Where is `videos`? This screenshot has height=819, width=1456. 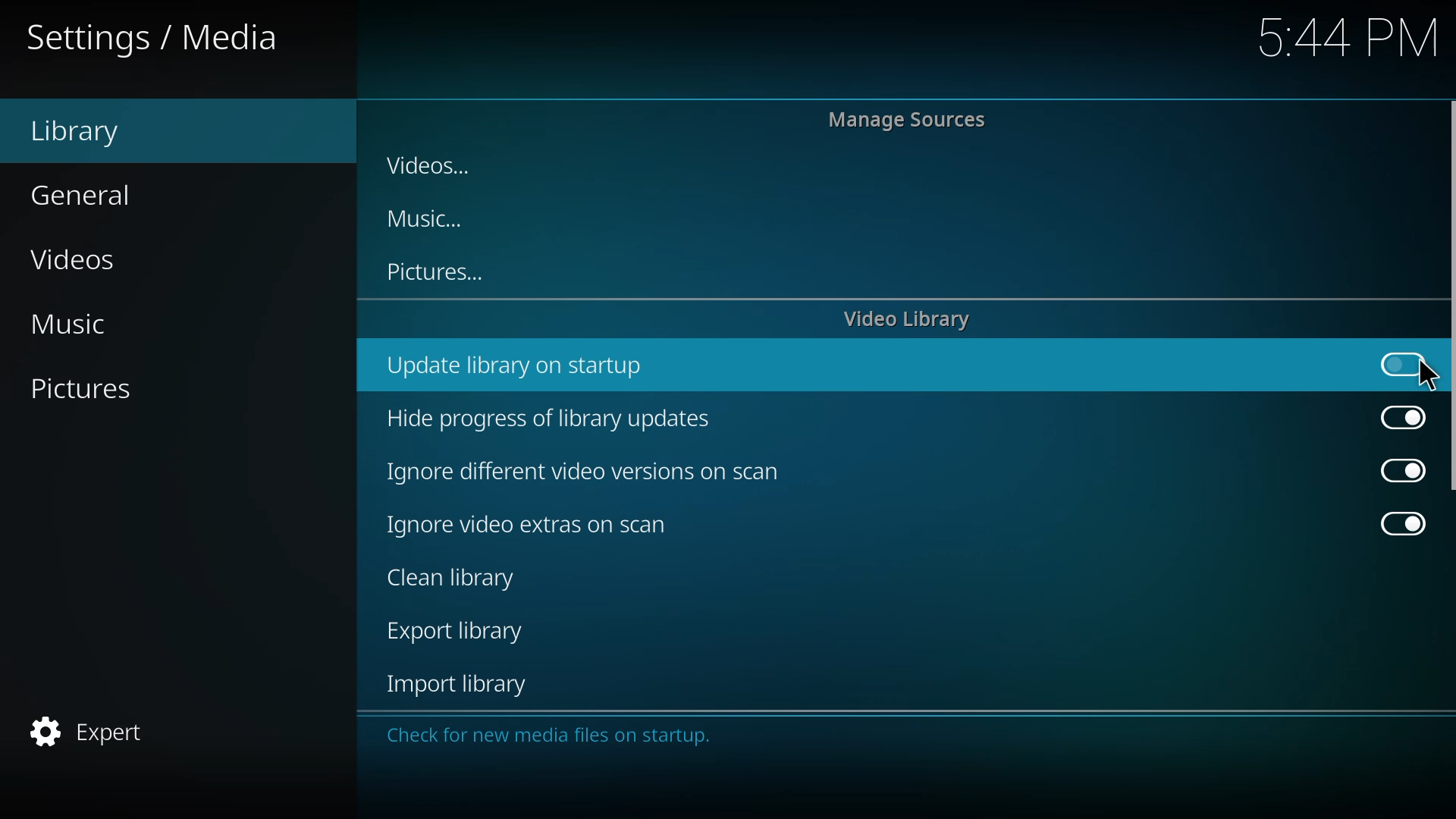 videos is located at coordinates (435, 165).